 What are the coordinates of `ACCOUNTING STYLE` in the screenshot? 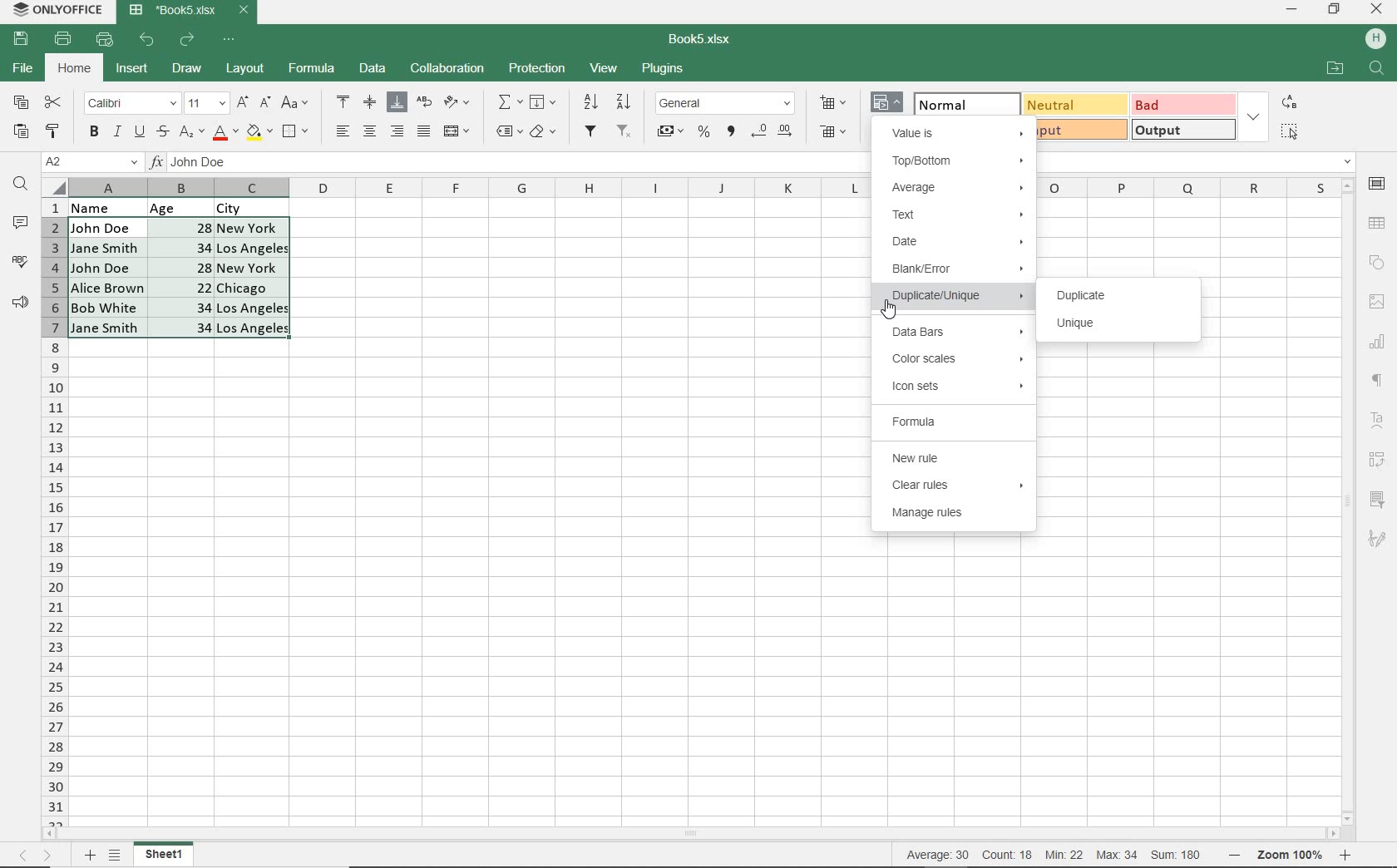 It's located at (669, 133).